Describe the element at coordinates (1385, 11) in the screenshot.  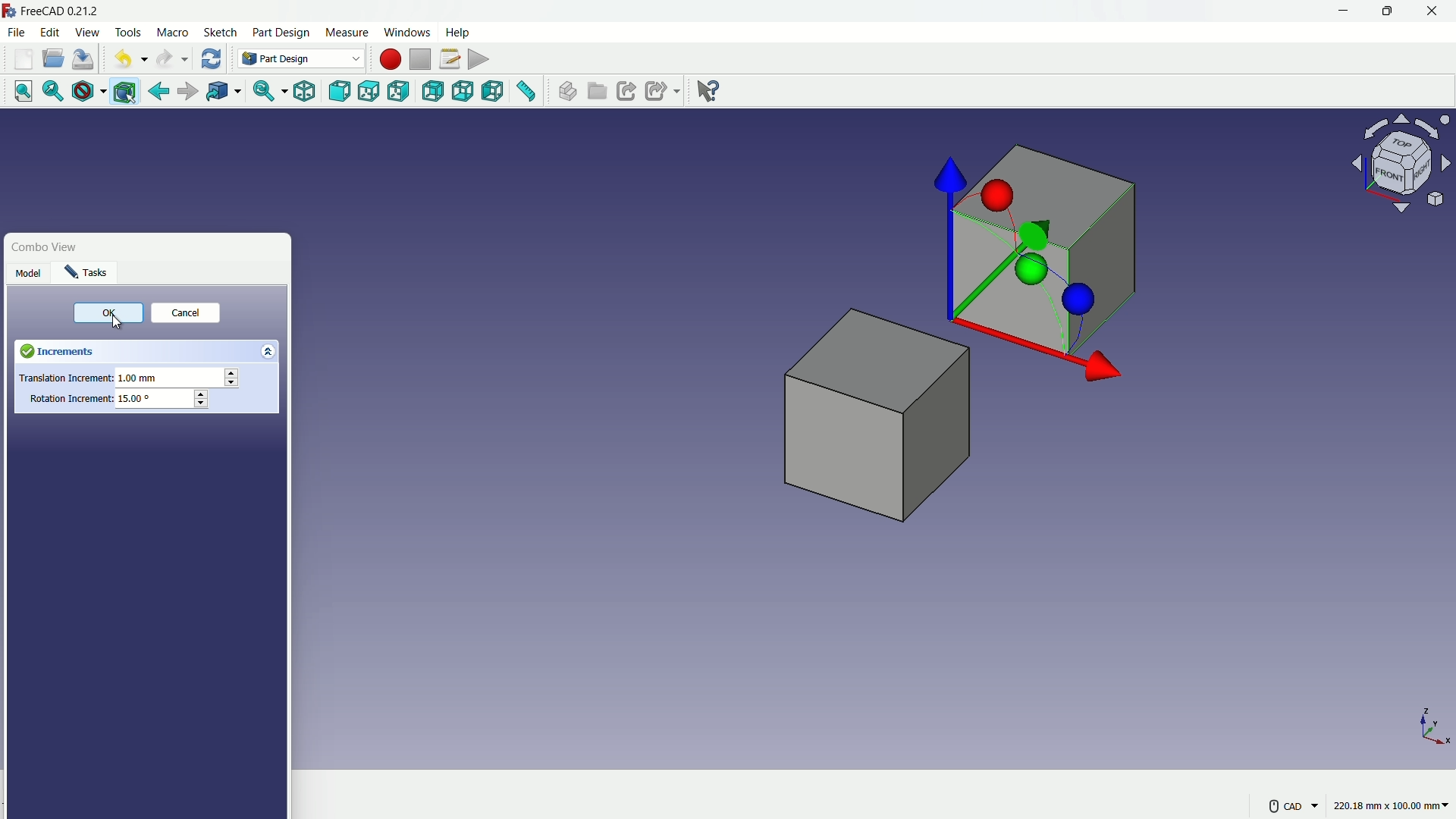
I see `maximize or restore` at that location.